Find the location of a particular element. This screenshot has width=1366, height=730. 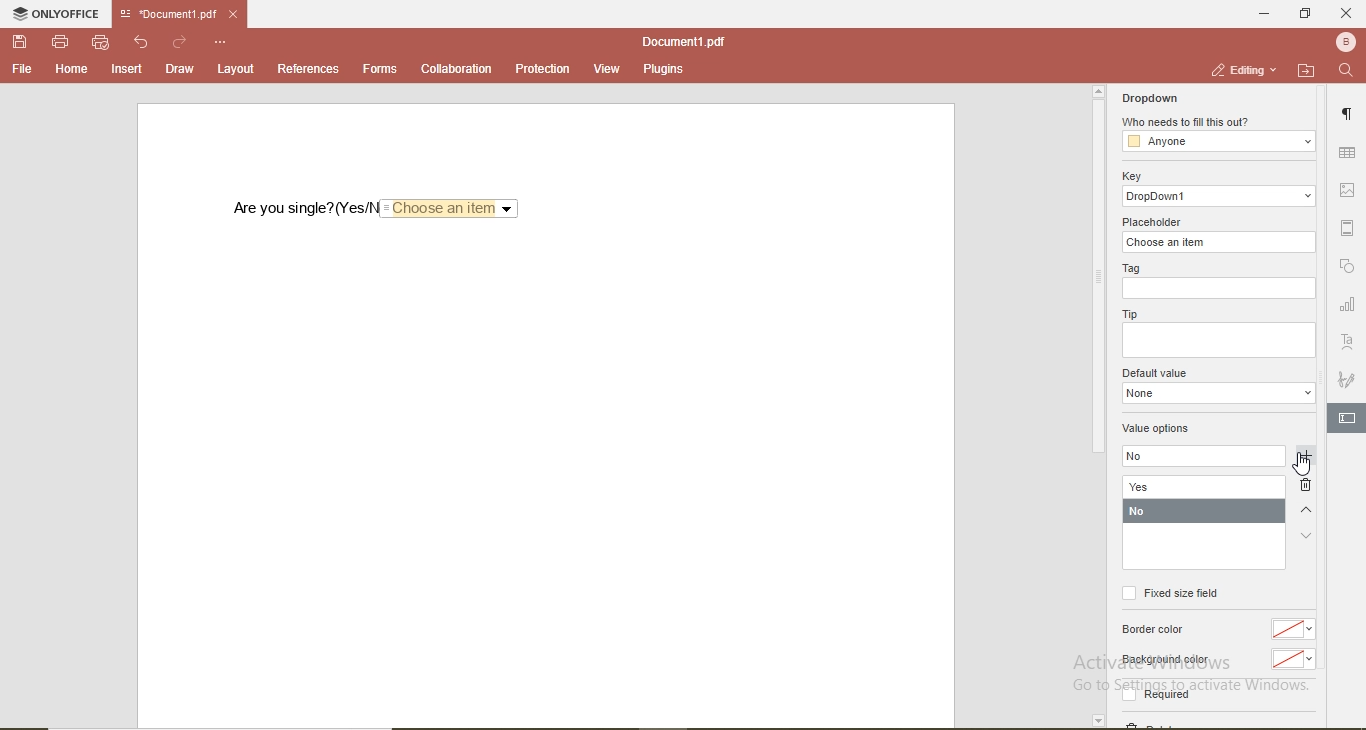

paragraph is located at coordinates (1350, 109).